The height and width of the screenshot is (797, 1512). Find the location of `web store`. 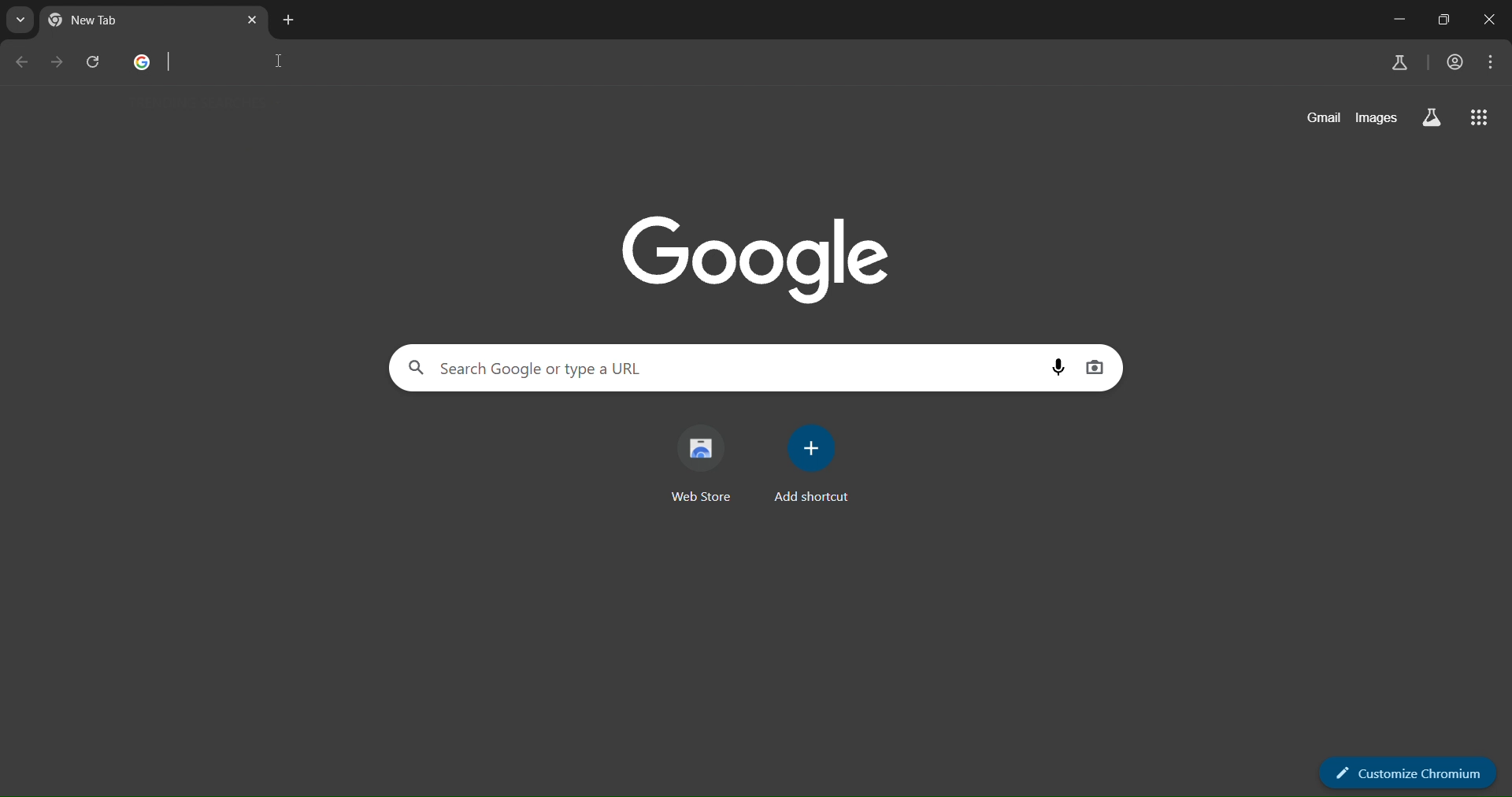

web store is located at coordinates (706, 465).